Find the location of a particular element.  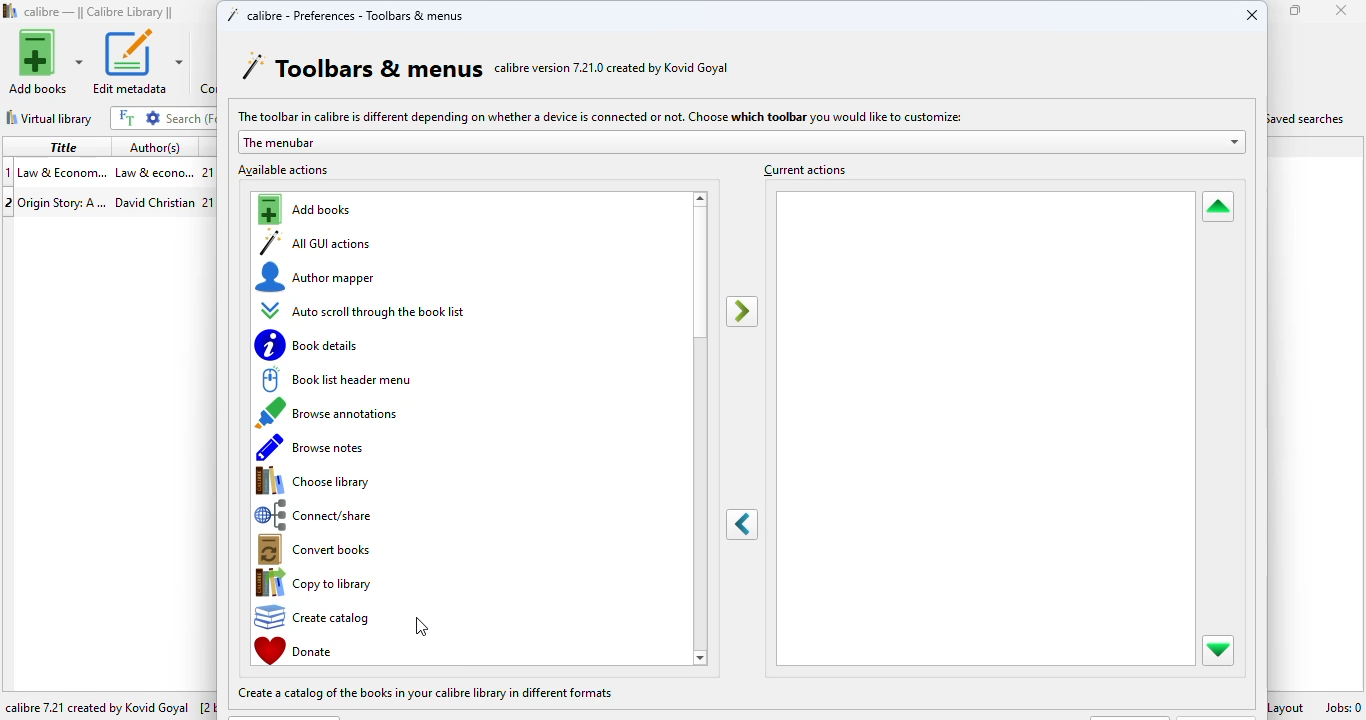

cursor is located at coordinates (421, 627).